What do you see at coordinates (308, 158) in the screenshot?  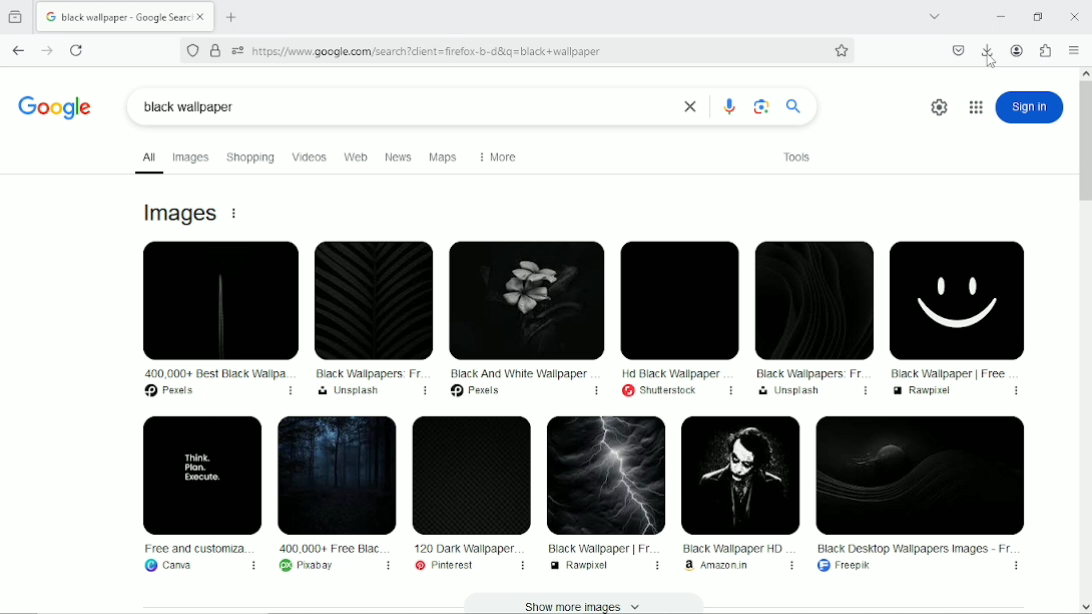 I see `Videos` at bounding box center [308, 158].